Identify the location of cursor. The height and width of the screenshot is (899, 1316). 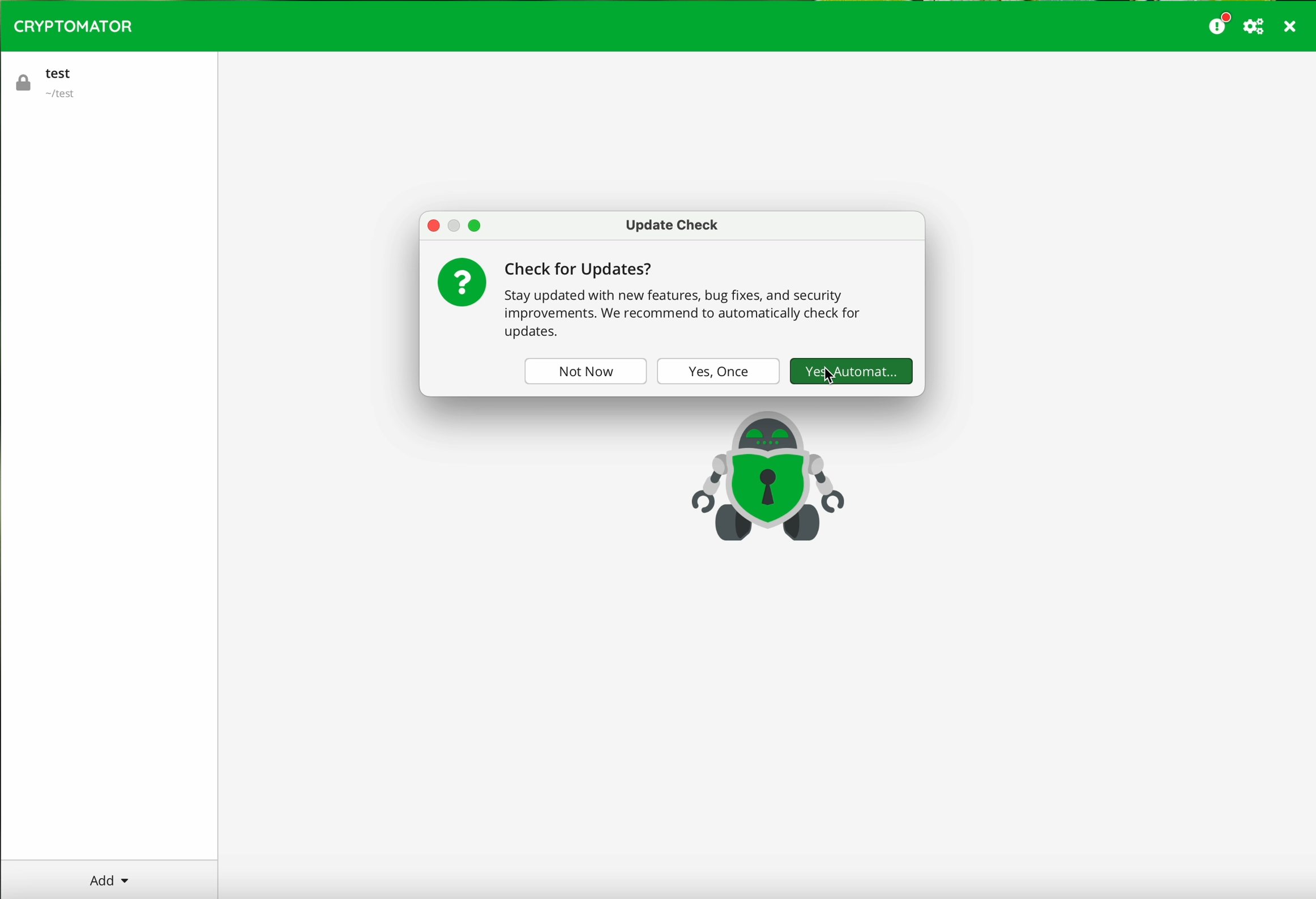
(827, 378).